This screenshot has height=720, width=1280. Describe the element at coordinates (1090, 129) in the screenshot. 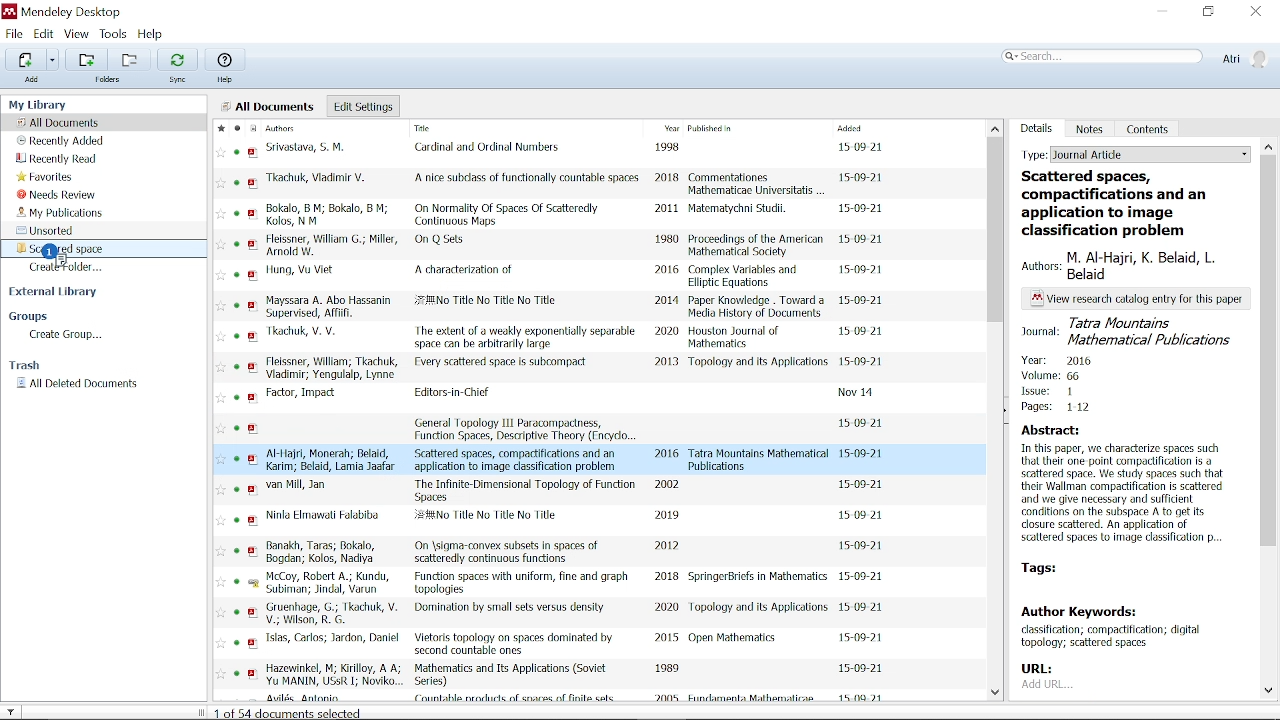

I see `Notes` at that location.